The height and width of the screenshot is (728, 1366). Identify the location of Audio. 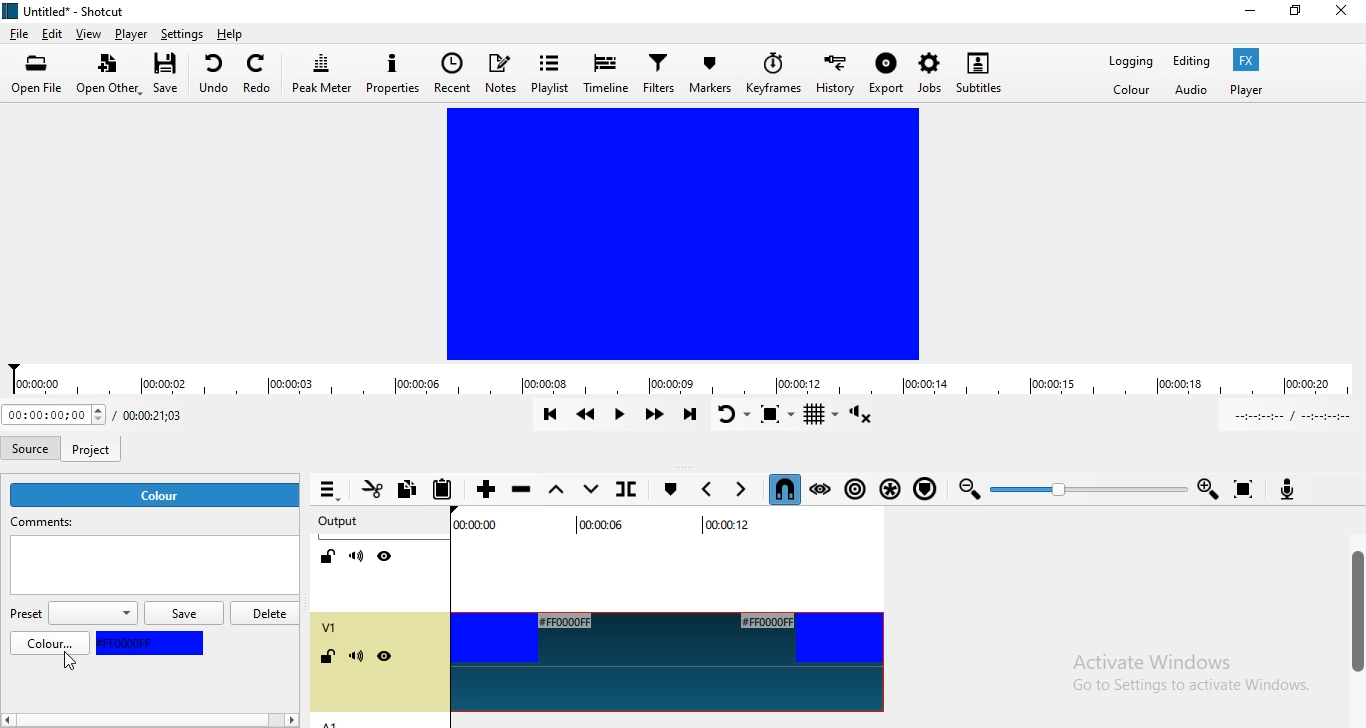
(1192, 90).